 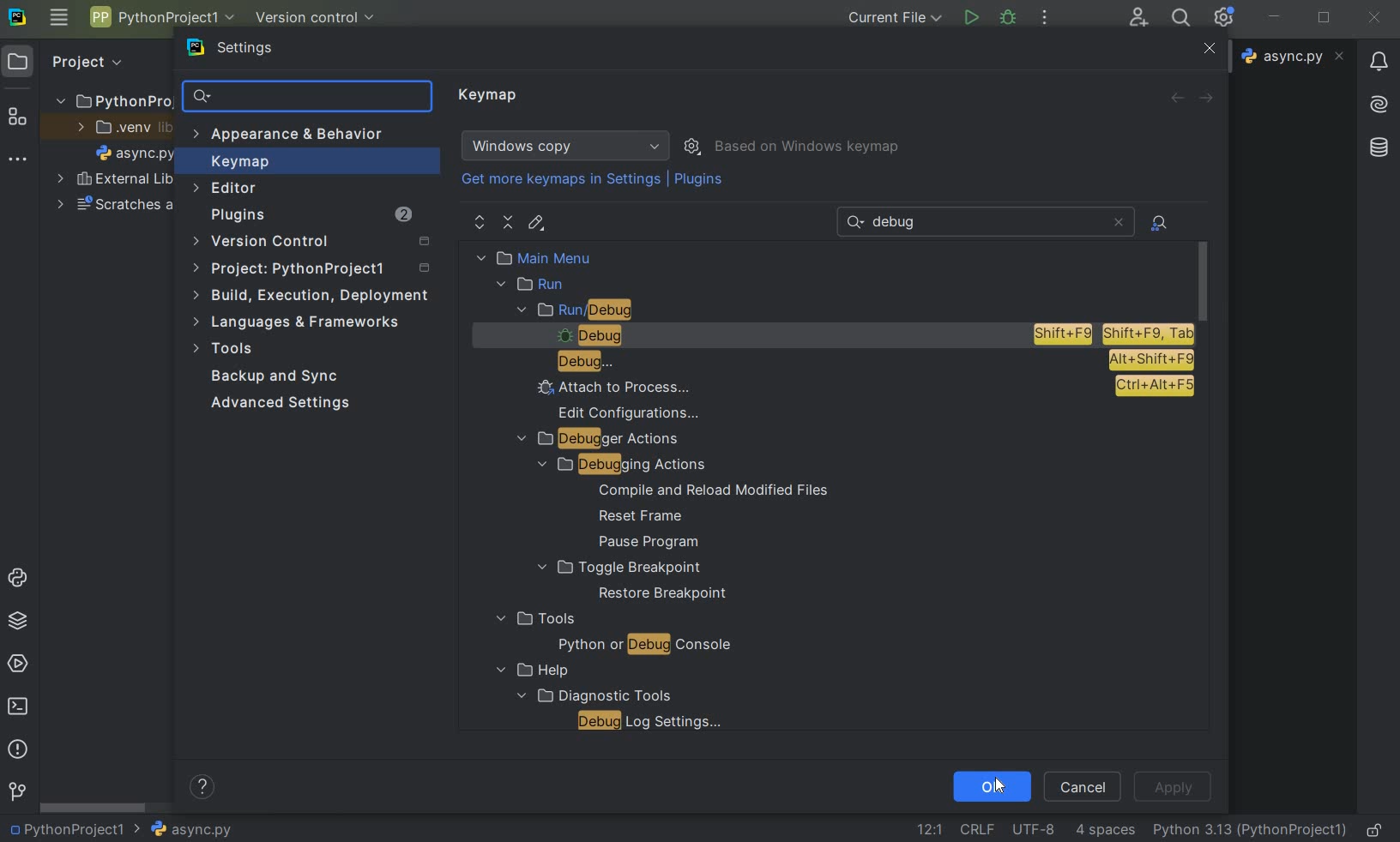 I want to click on appearance & behavior, so click(x=298, y=136).